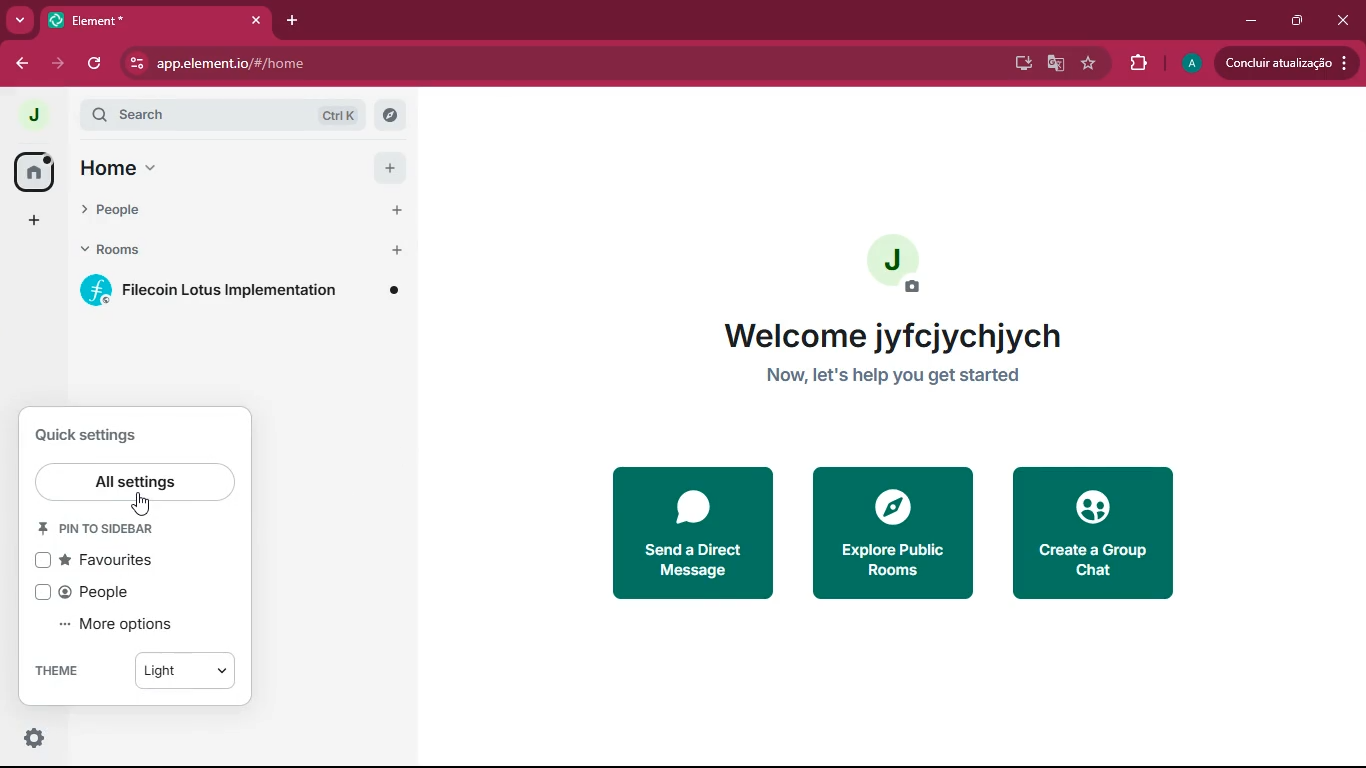 The width and height of the screenshot is (1366, 768). What do you see at coordinates (690, 533) in the screenshot?
I see `send a direct message` at bounding box center [690, 533].